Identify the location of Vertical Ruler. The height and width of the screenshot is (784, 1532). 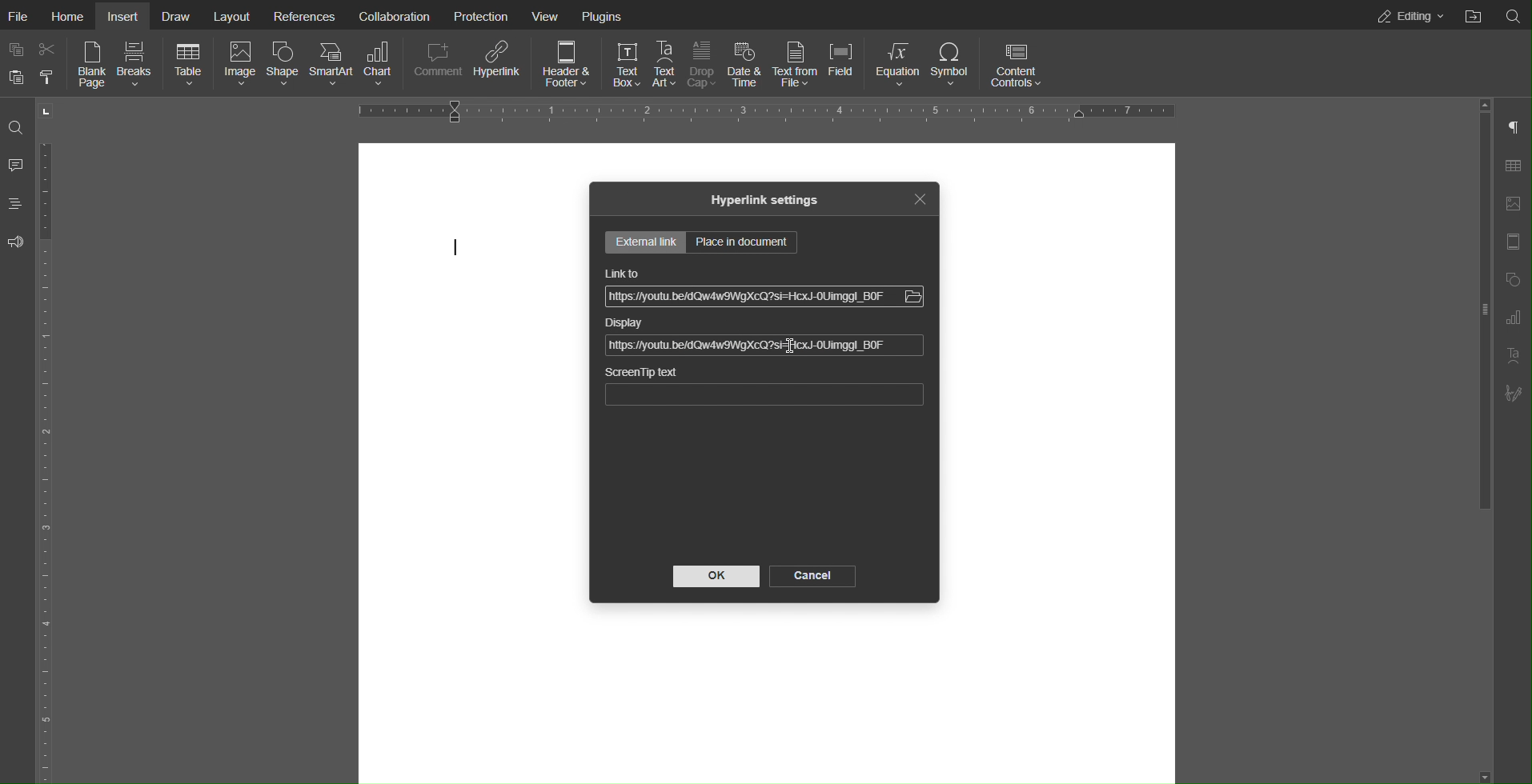
(51, 460).